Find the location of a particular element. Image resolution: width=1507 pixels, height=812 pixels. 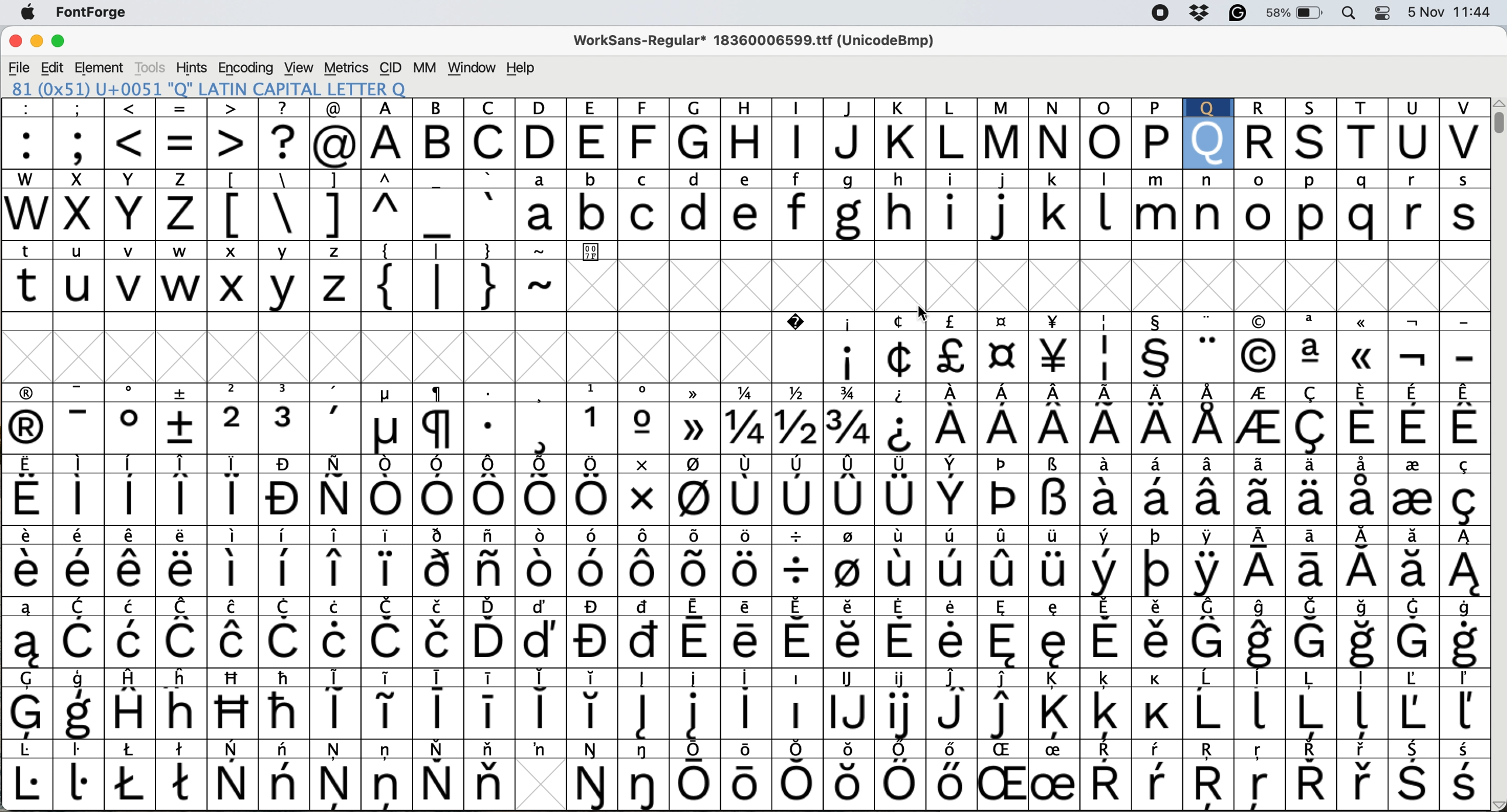

text is located at coordinates (745, 751).